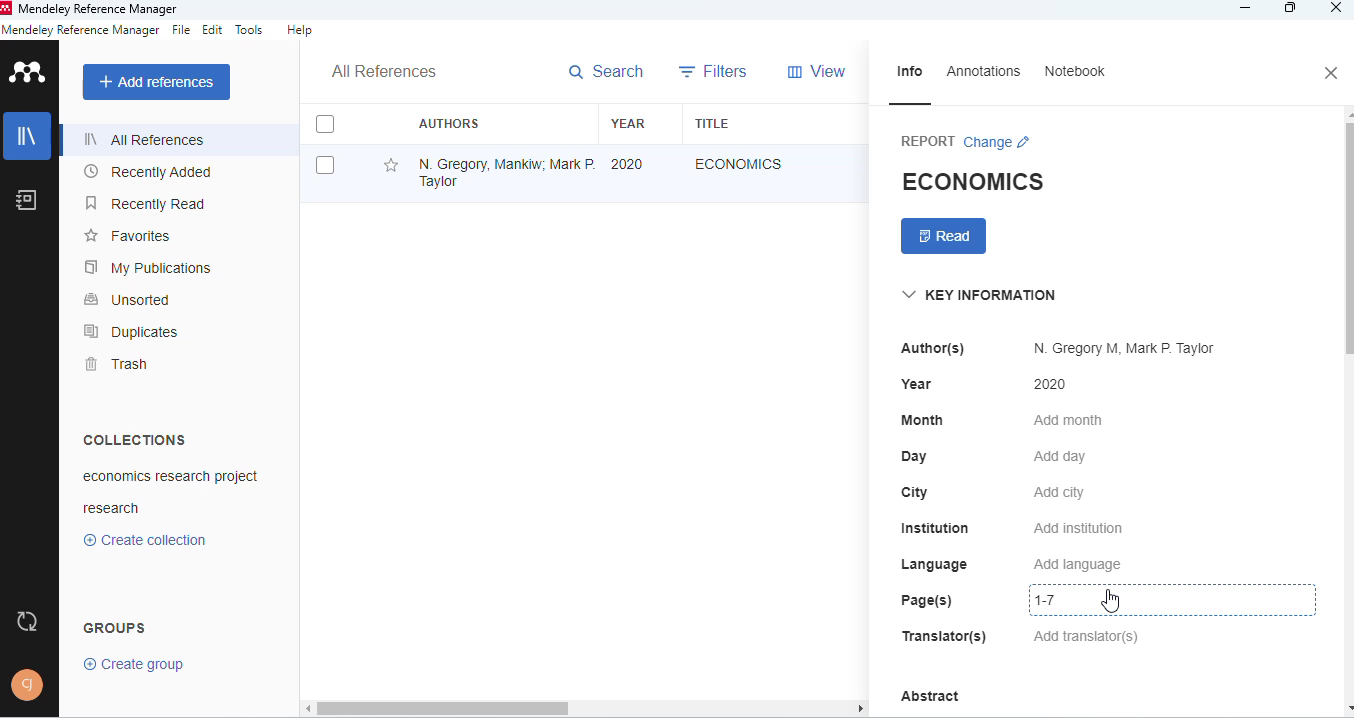 The image size is (1354, 718). I want to click on select, so click(326, 166).